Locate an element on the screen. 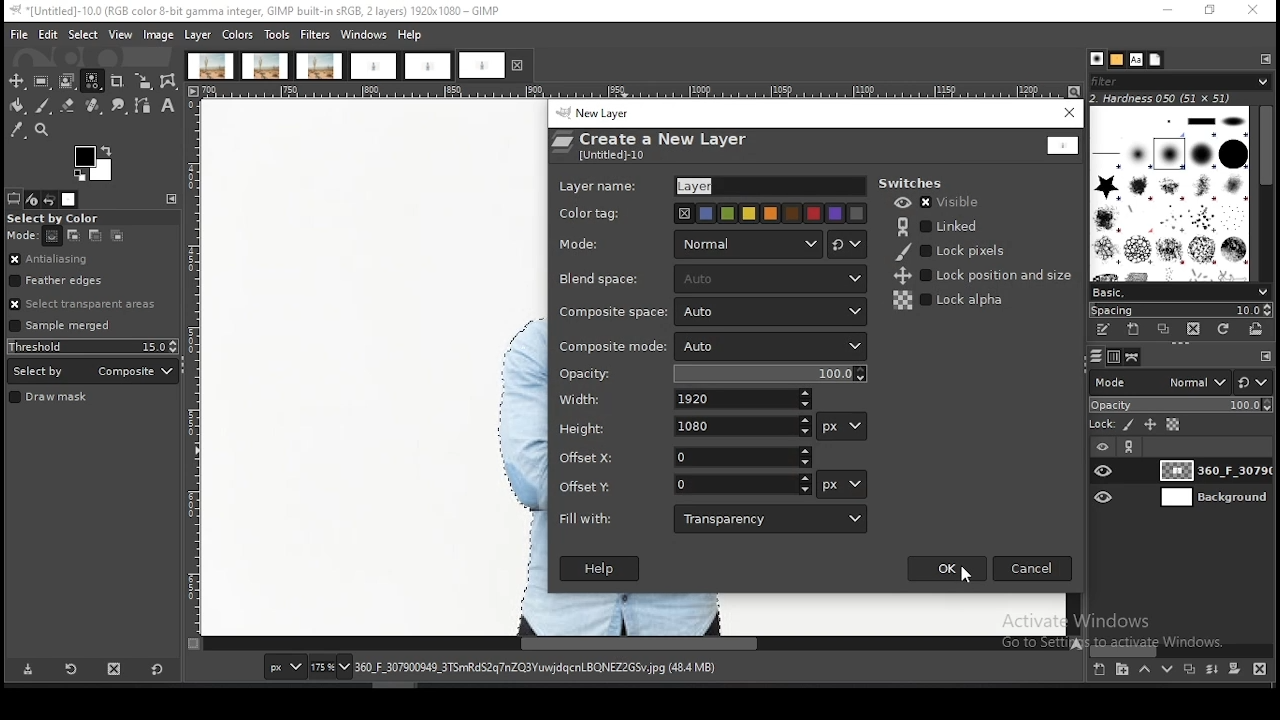 The image size is (1280, 720). antiliasing is located at coordinates (92, 260).